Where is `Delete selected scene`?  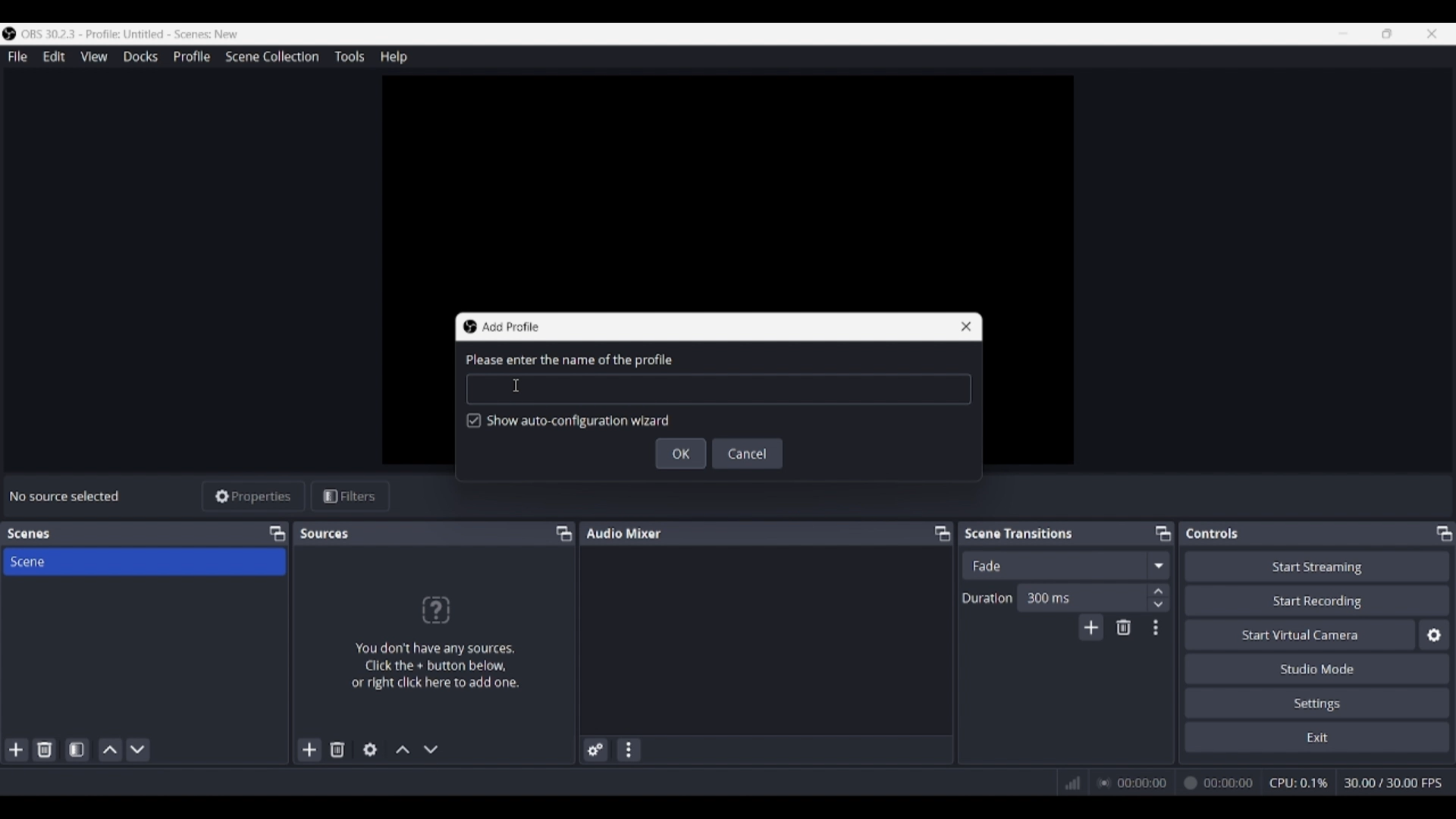 Delete selected scene is located at coordinates (44, 749).